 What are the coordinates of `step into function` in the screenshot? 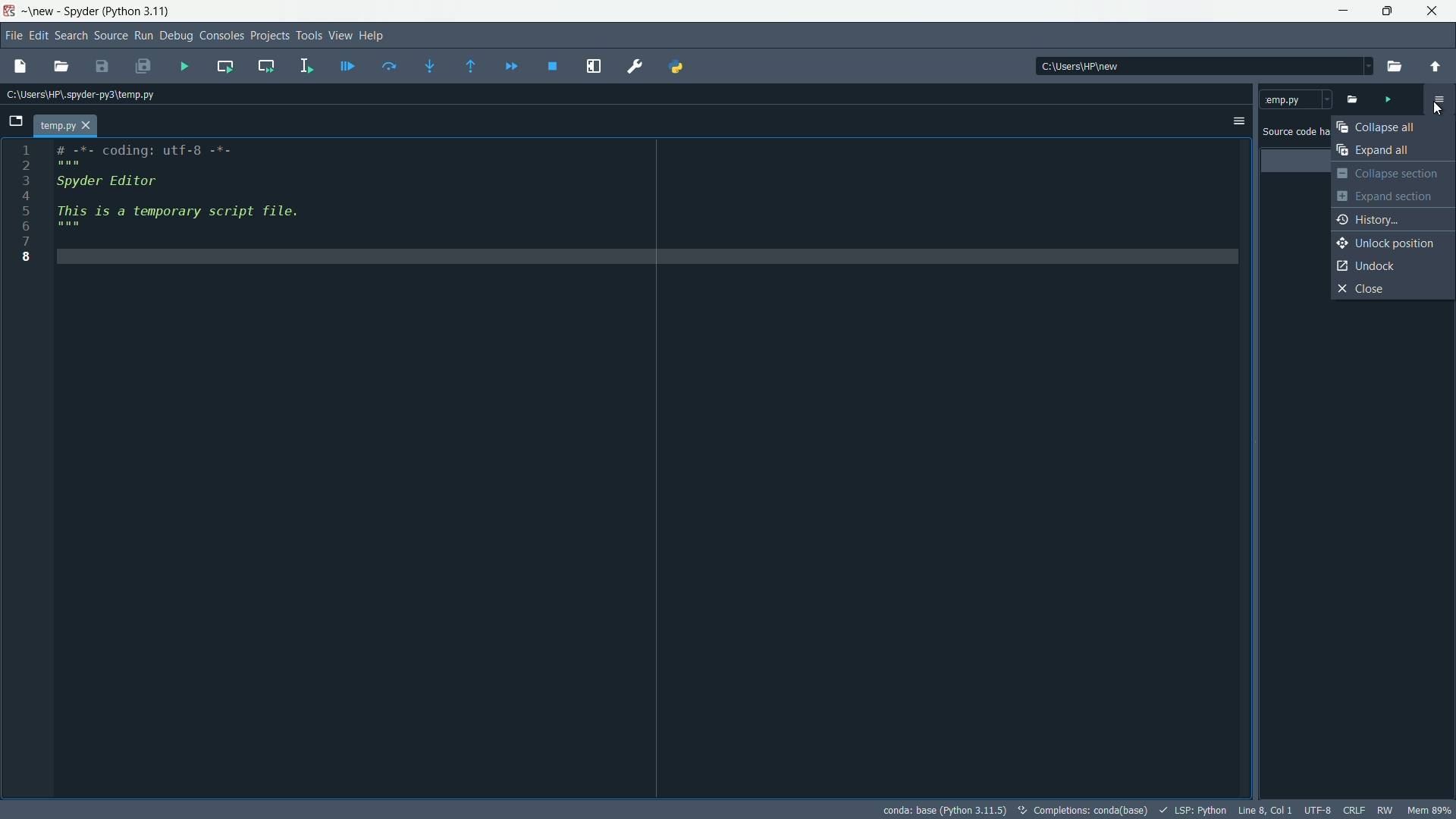 It's located at (431, 67).